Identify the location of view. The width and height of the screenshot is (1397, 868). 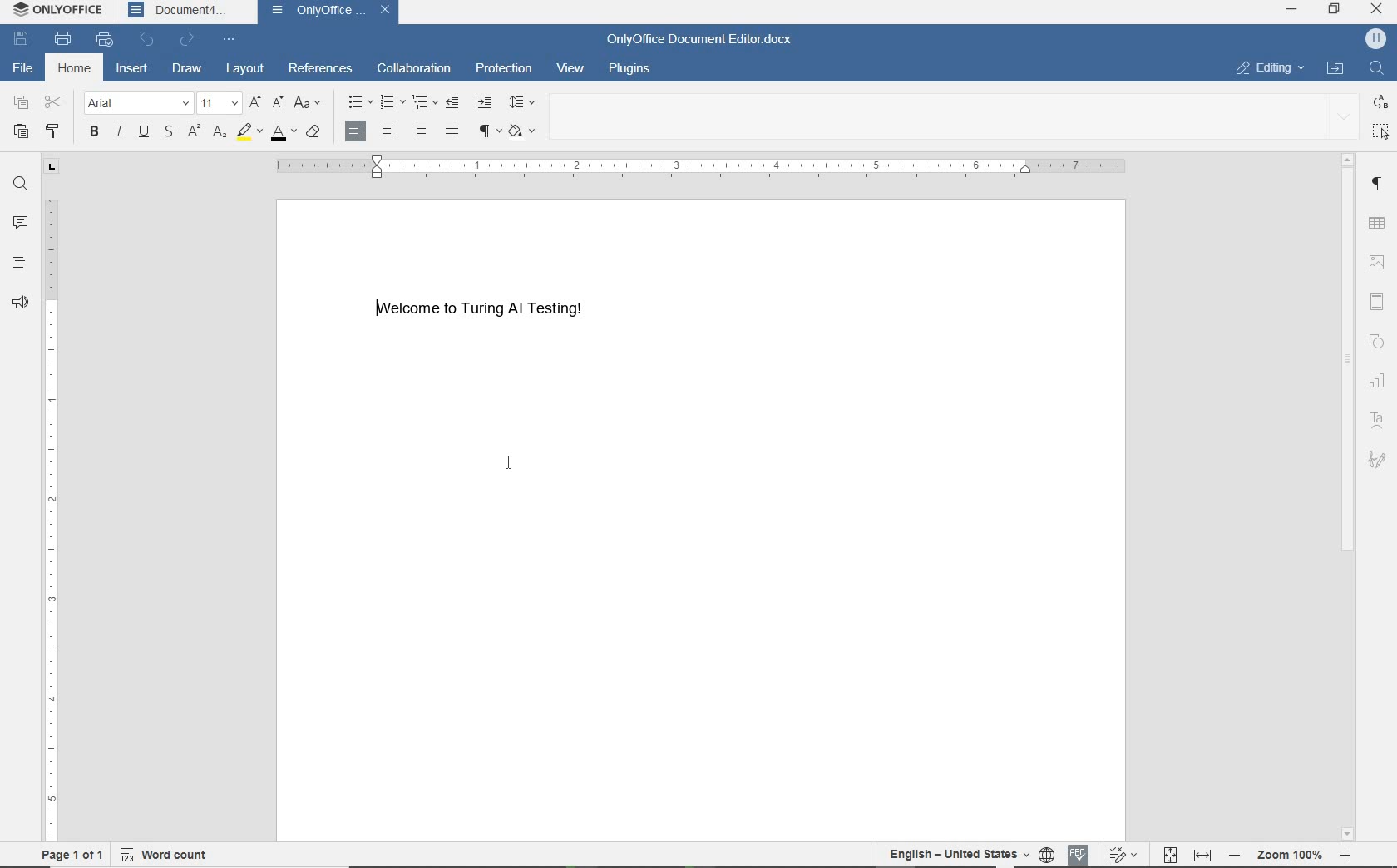
(572, 70).